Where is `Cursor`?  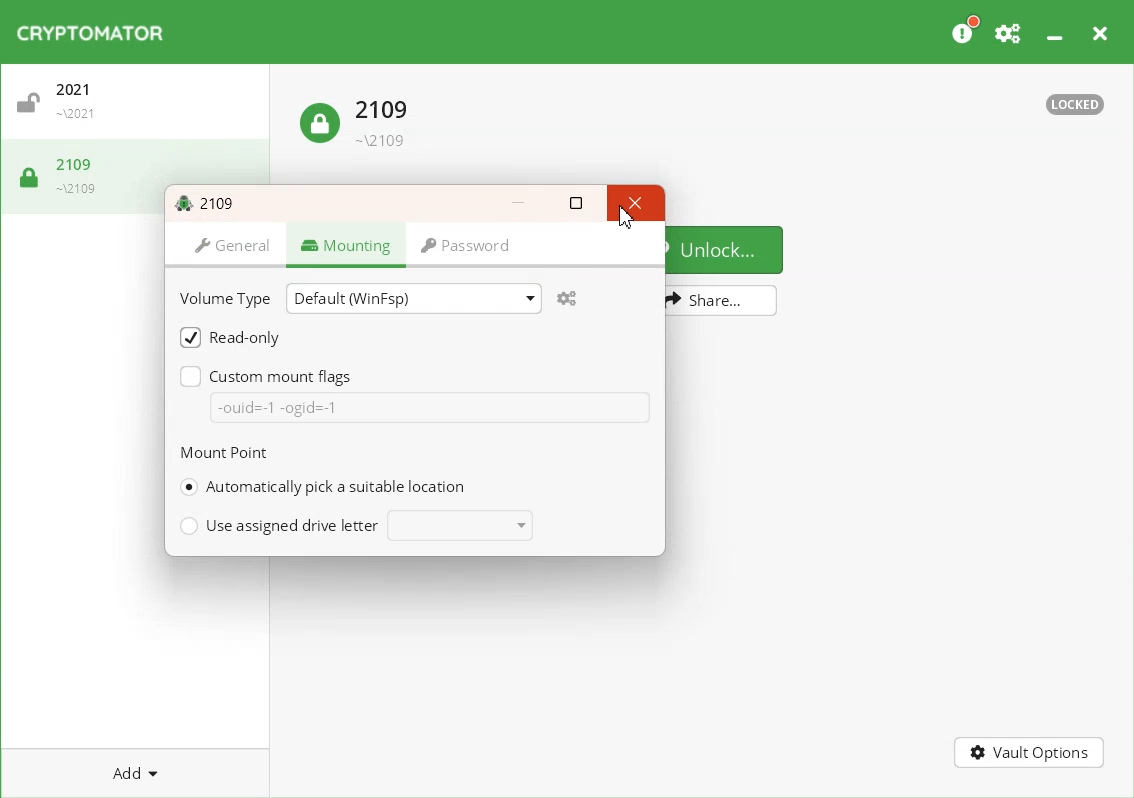 Cursor is located at coordinates (625, 220).